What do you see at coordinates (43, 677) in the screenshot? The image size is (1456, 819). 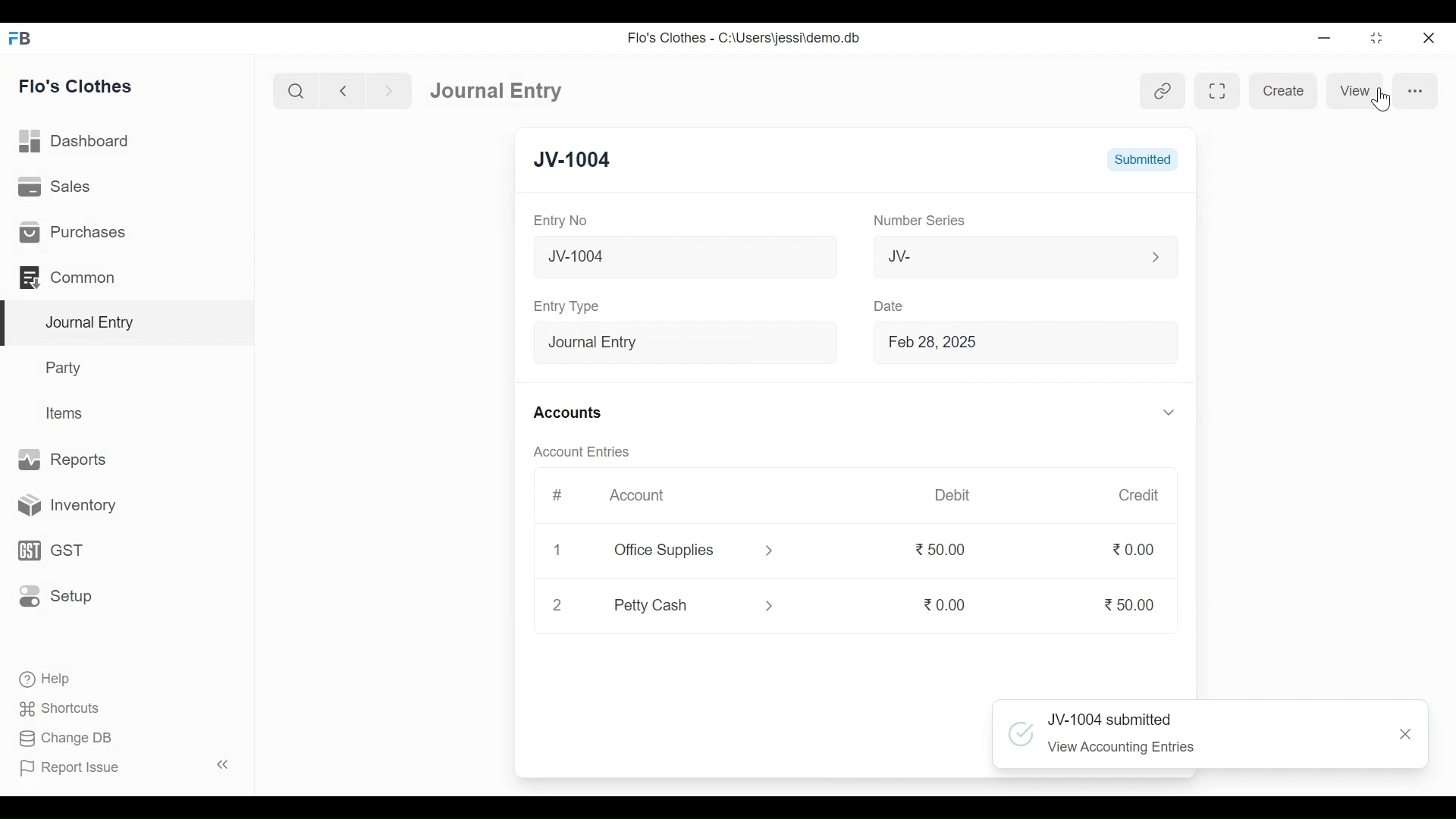 I see `Help` at bounding box center [43, 677].